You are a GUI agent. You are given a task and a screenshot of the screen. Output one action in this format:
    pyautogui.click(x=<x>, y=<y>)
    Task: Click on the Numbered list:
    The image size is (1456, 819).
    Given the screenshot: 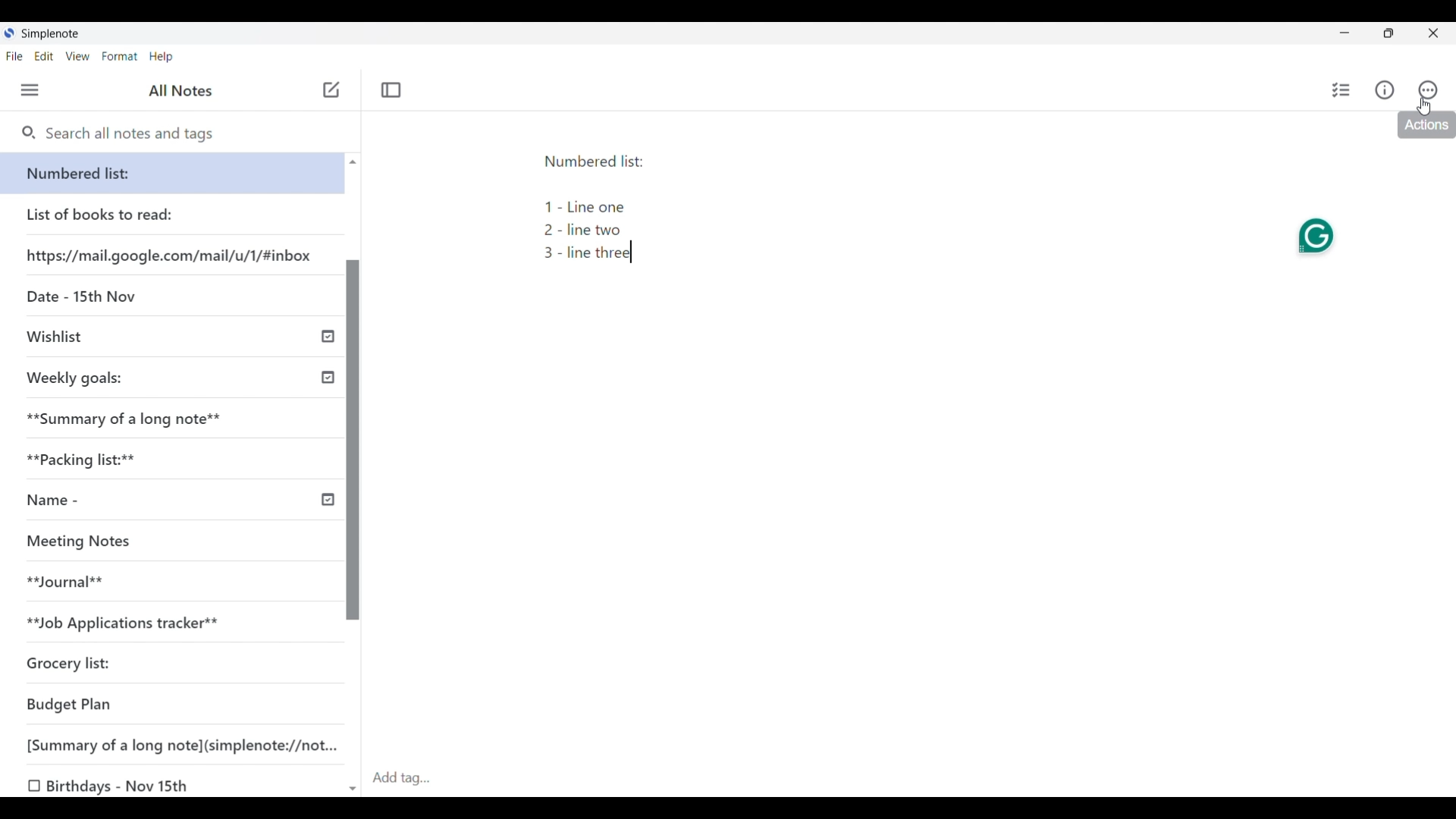 What is the action you would take?
    pyautogui.click(x=603, y=165)
    